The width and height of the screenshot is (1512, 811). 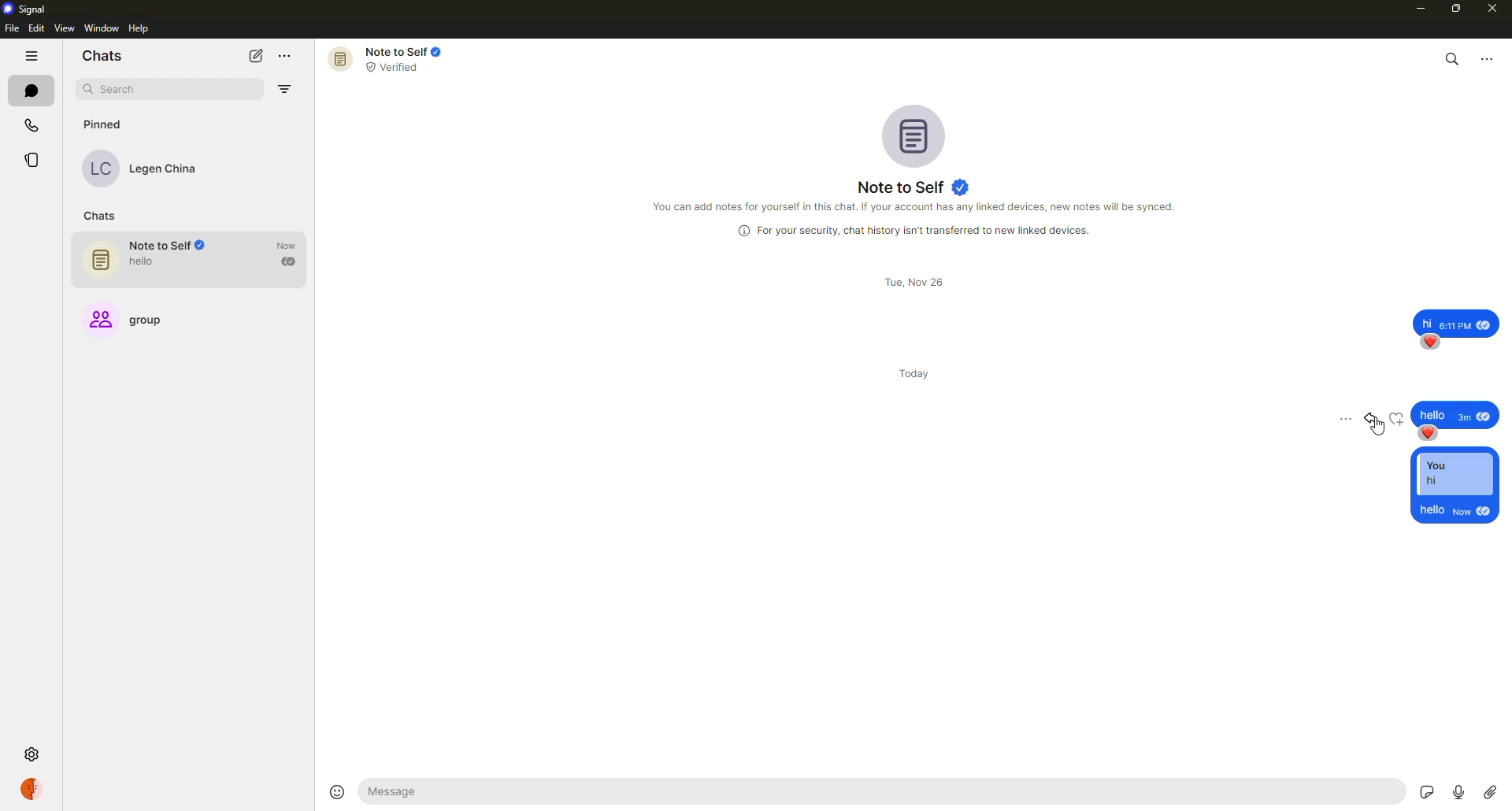 What do you see at coordinates (1378, 435) in the screenshot?
I see `cursor` at bounding box center [1378, 435].